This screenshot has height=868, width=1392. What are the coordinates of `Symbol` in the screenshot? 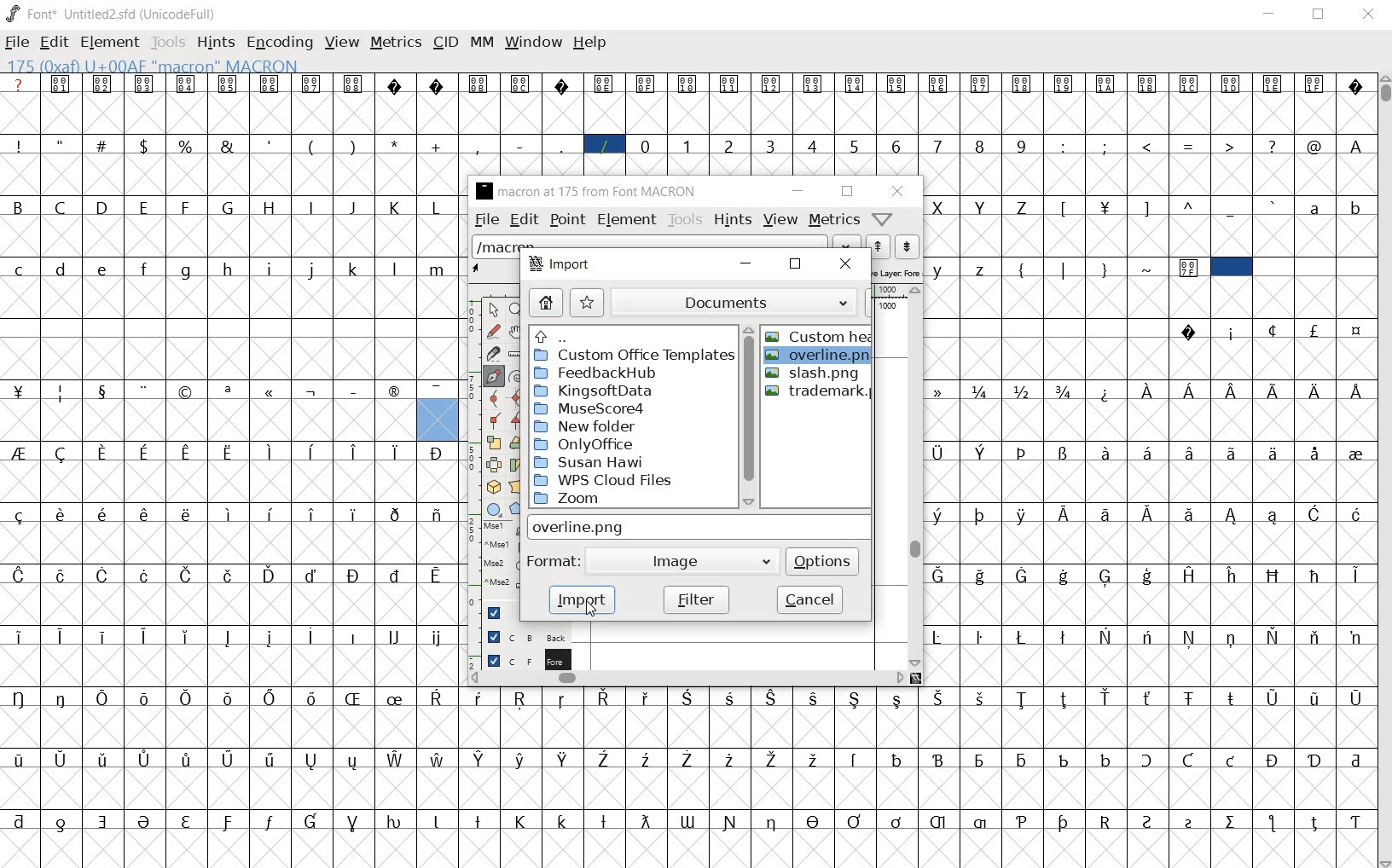 It's located at (314, 820).